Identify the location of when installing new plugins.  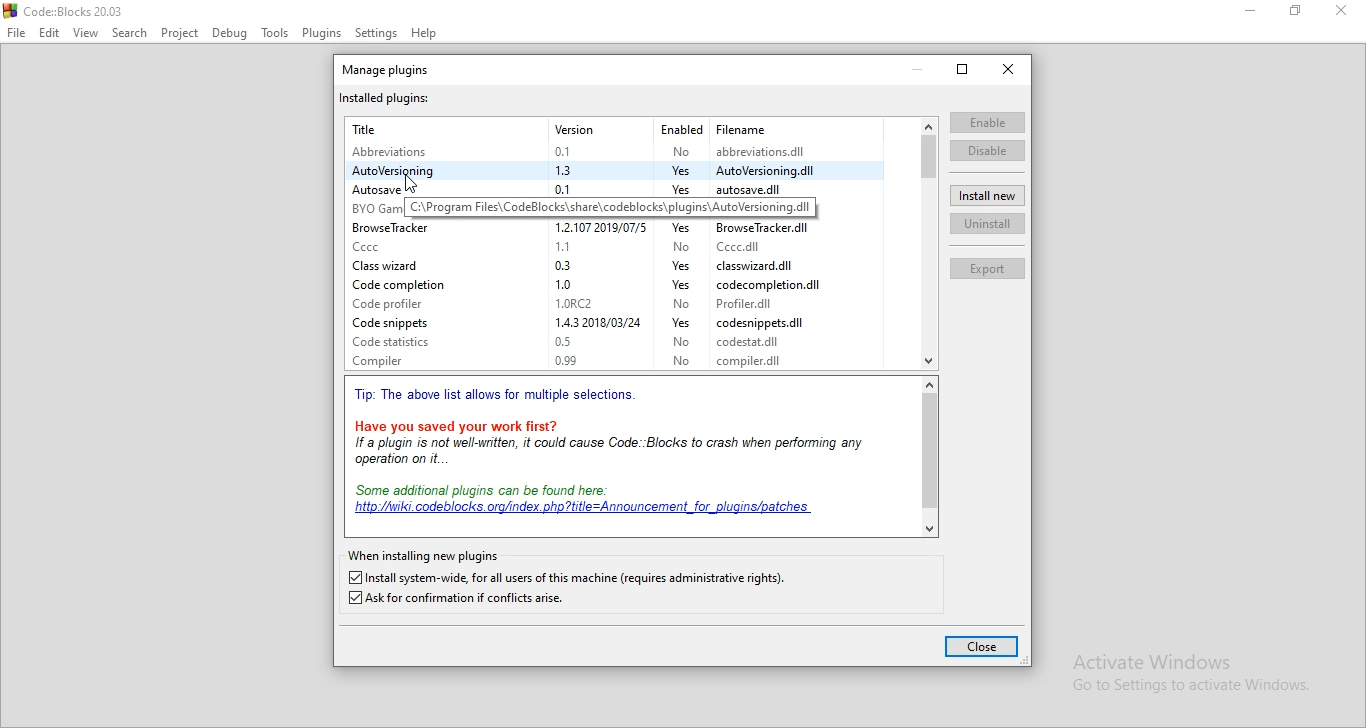
(424, 556).